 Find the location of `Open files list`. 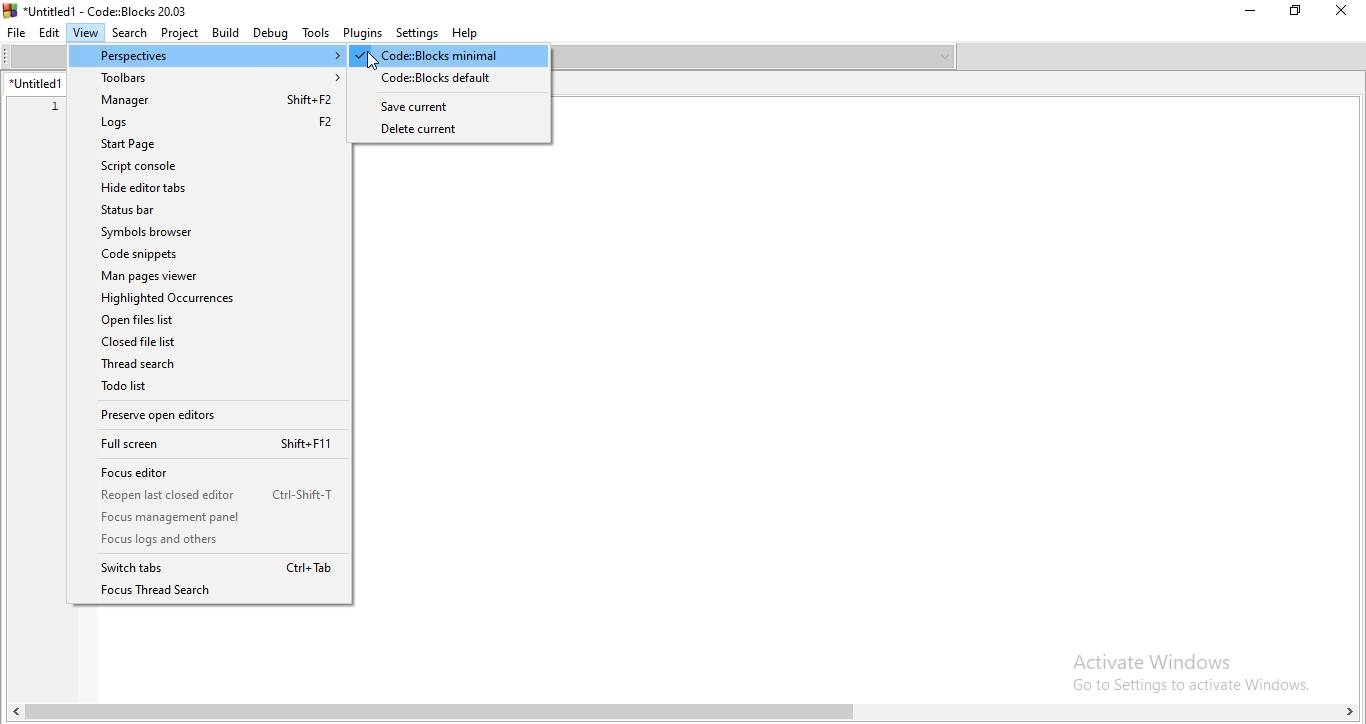

Open files list is located at coordinates (208, 319).